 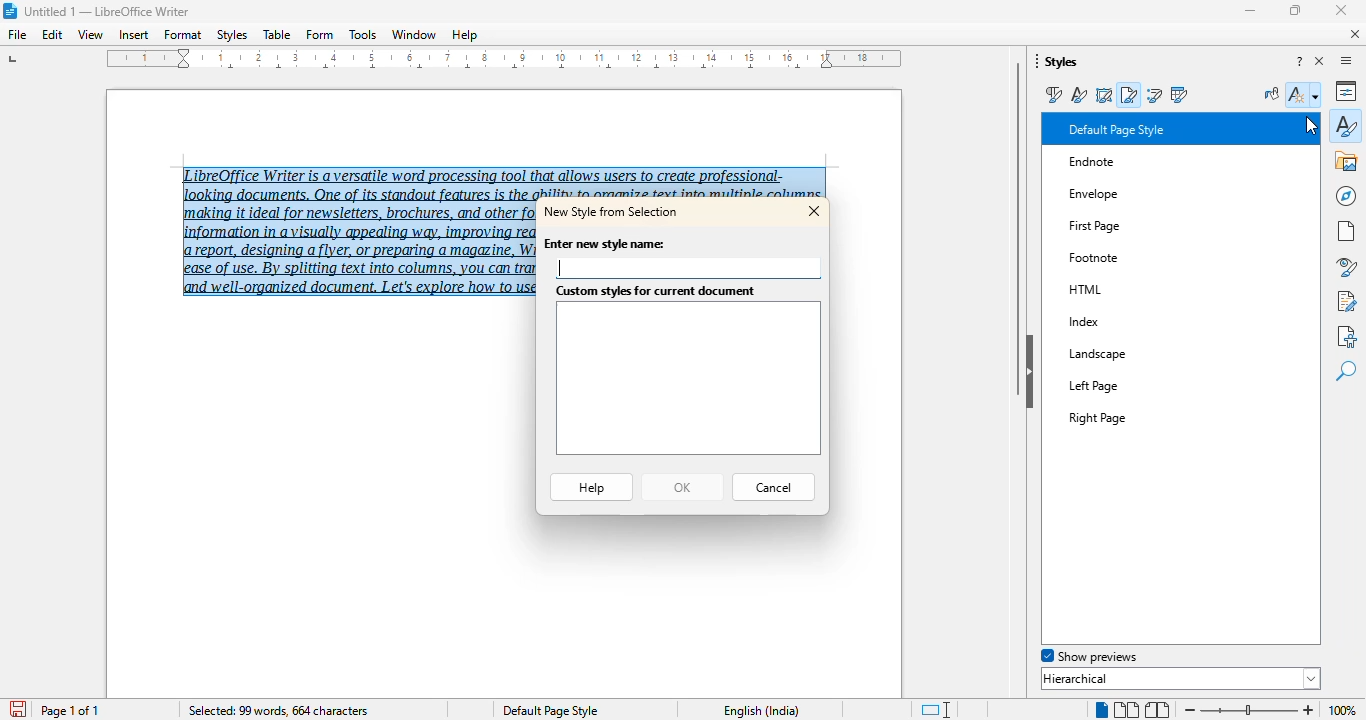 What do you see at coordinates (1346, 372) in the screenshot?
I see `find` at bounding box center [1346, 372].